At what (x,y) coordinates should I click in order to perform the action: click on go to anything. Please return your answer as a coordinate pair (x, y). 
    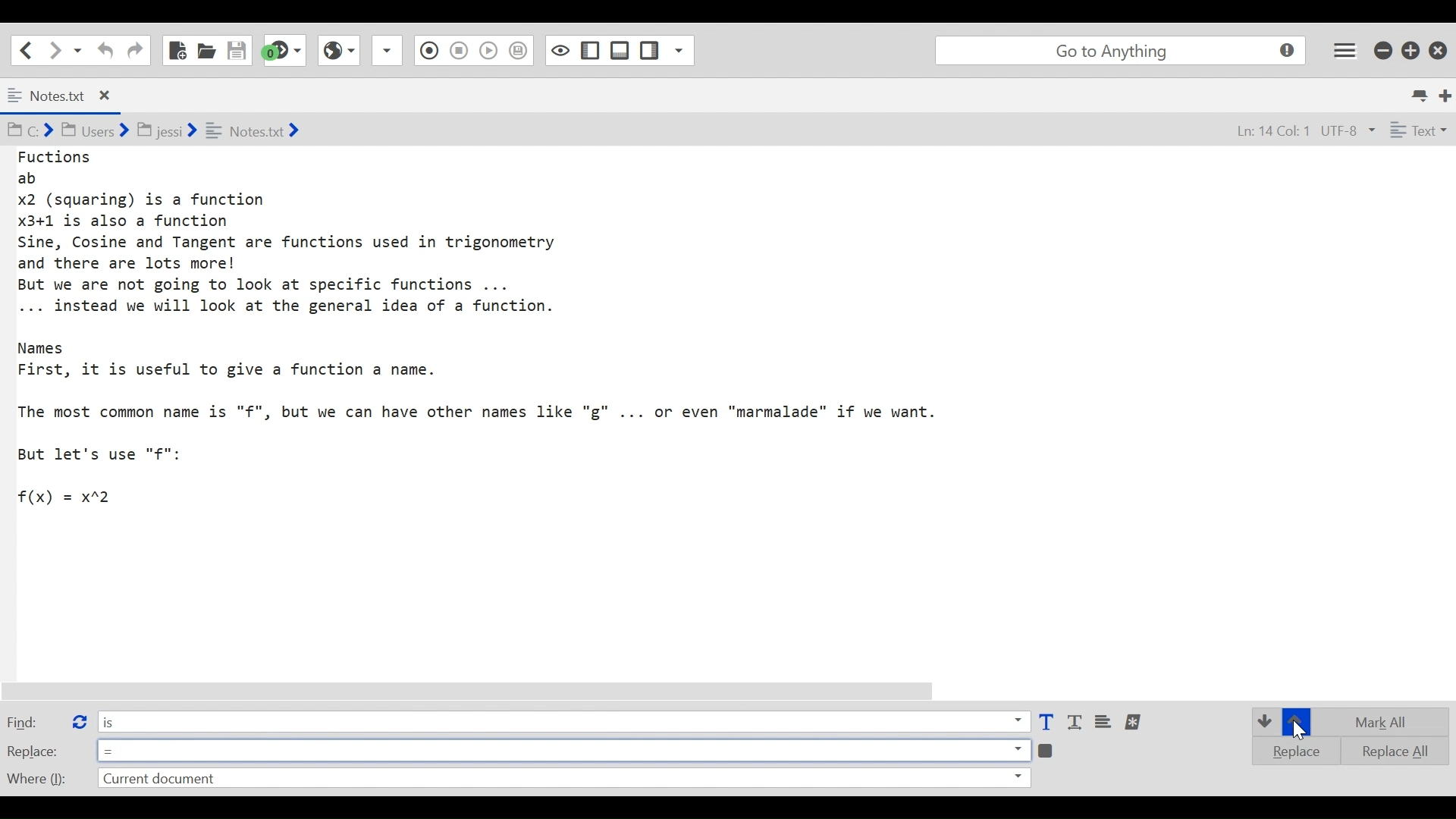
    Looking at the image, I should click on (1124, 51).